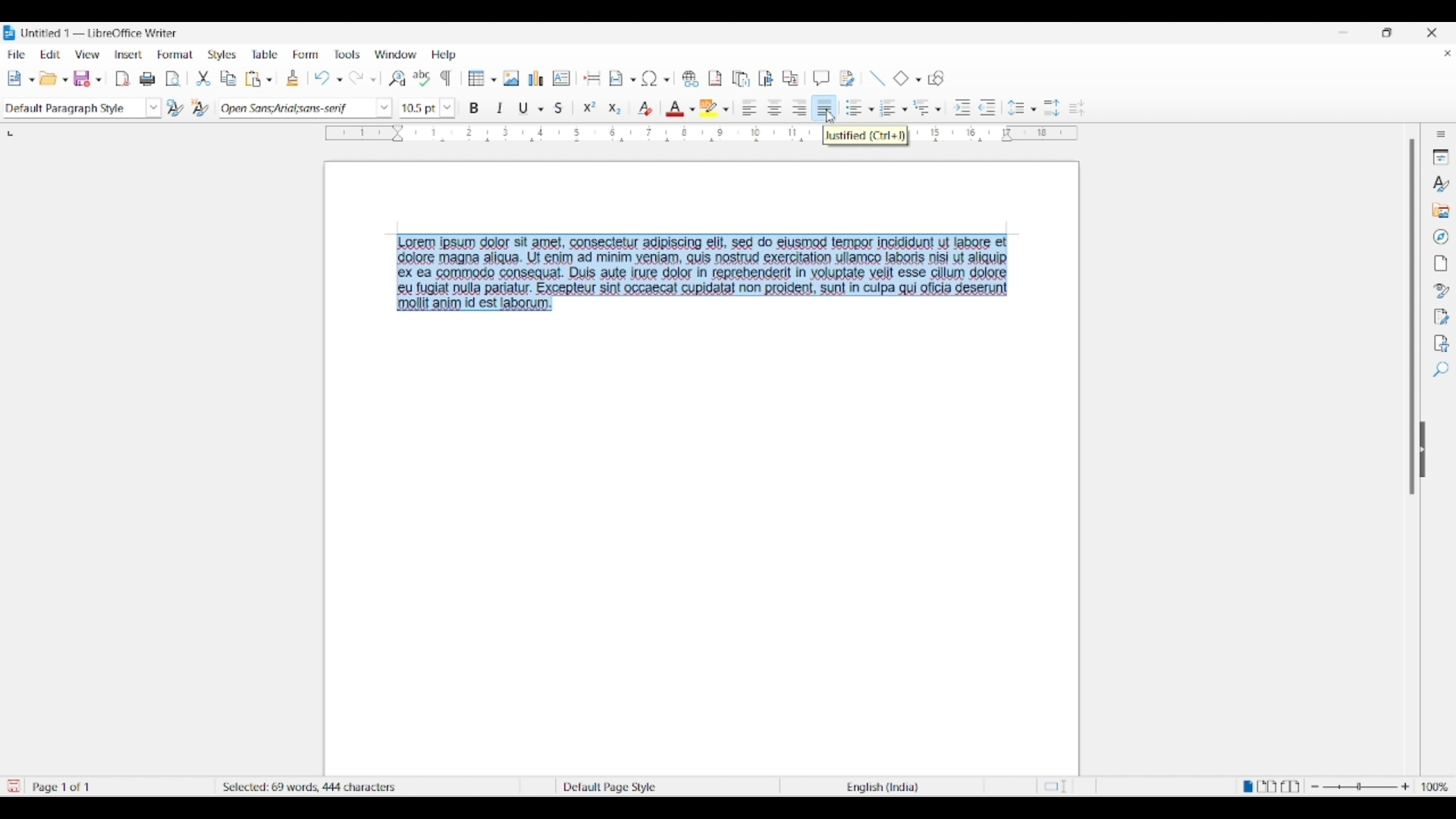 The image size is (1456, 819). I want to click on Page, so click(1440, 263).